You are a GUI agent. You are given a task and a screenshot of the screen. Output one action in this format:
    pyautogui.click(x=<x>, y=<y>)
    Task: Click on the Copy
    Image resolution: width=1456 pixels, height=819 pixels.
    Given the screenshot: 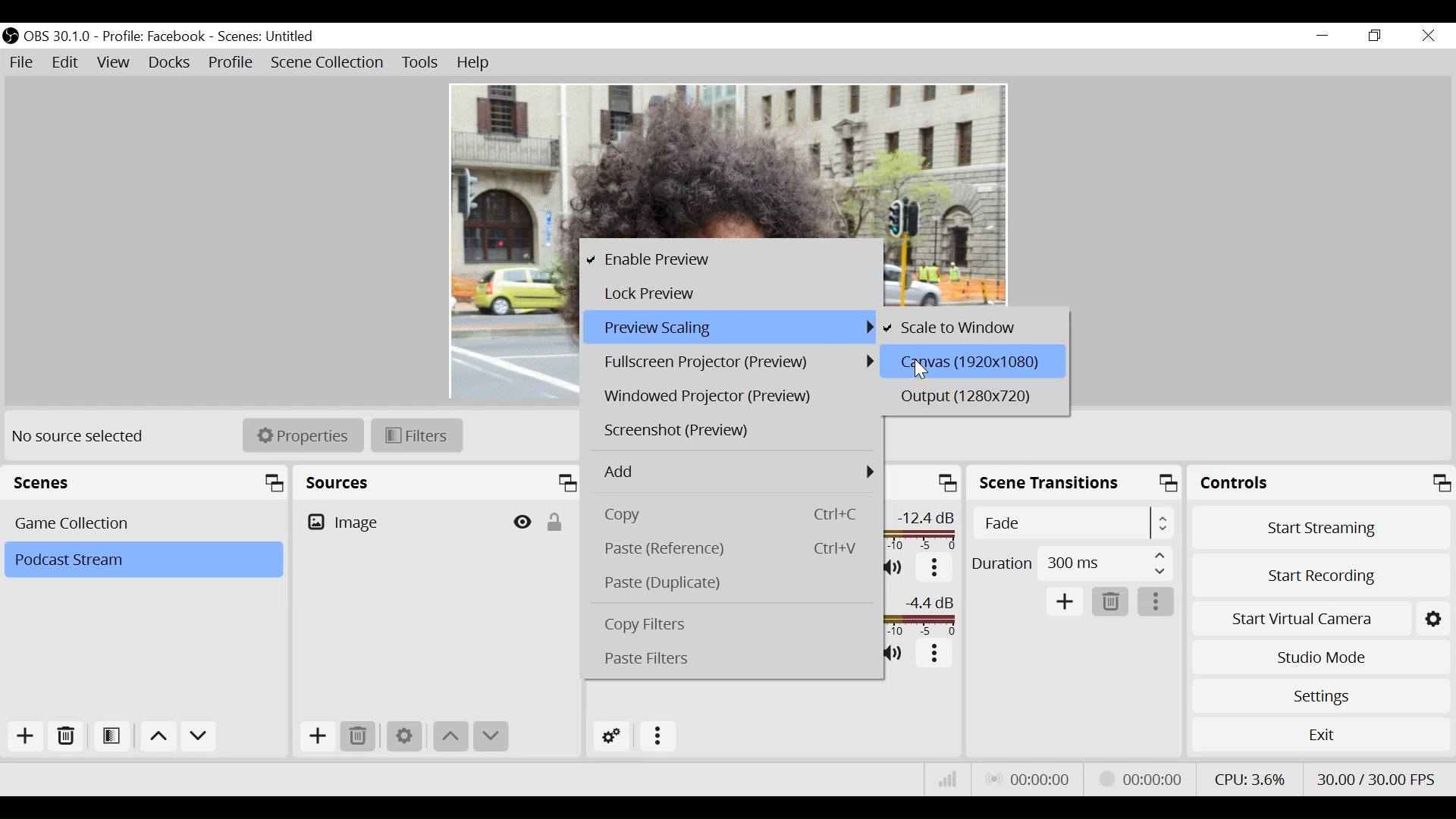 What is the action you would take?
    pyautogui.click(x=736, y=514)
    